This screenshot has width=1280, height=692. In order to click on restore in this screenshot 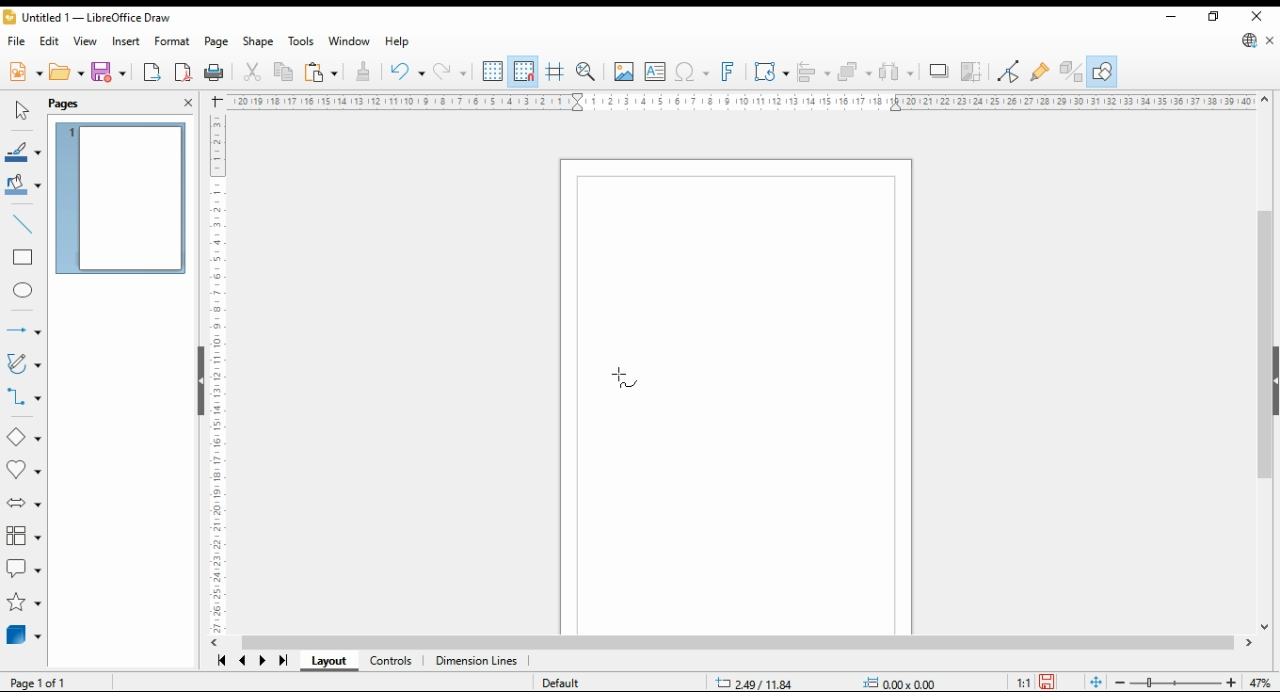, I will do `click(1213, 17)`.